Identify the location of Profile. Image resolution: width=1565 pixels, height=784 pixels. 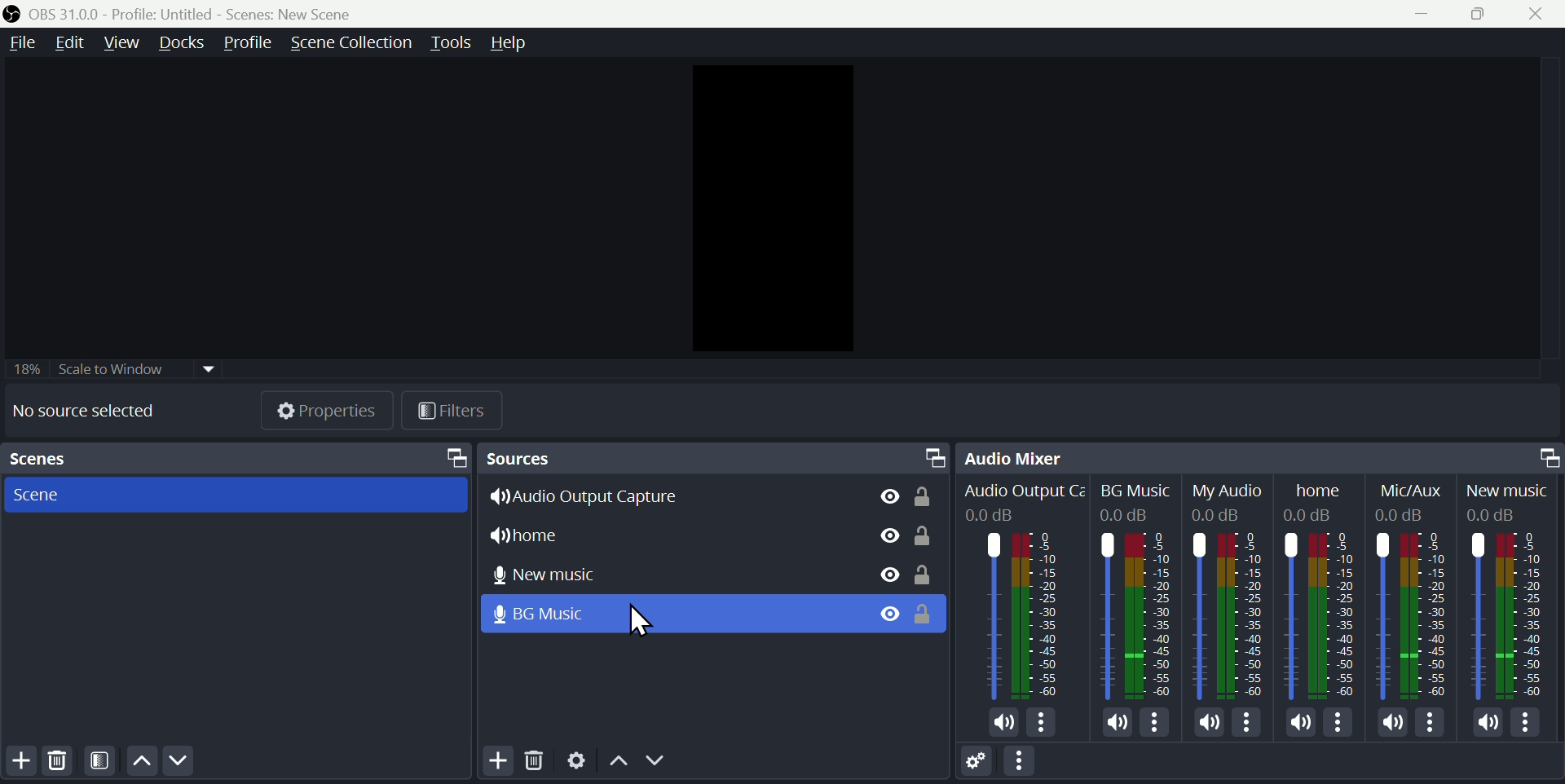
(247, 42).